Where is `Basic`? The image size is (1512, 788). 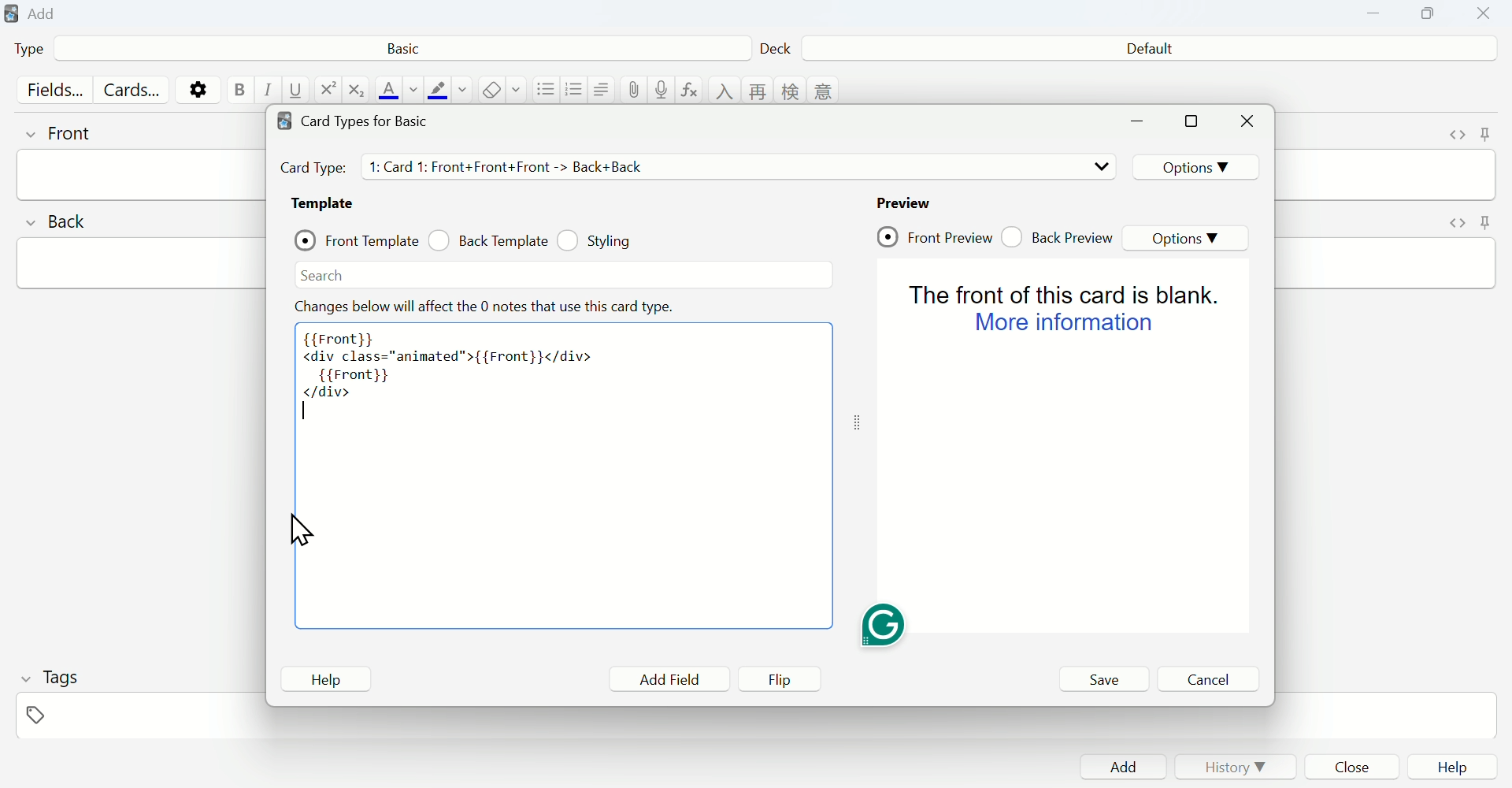
Basic is located at coordinates (402, 46).